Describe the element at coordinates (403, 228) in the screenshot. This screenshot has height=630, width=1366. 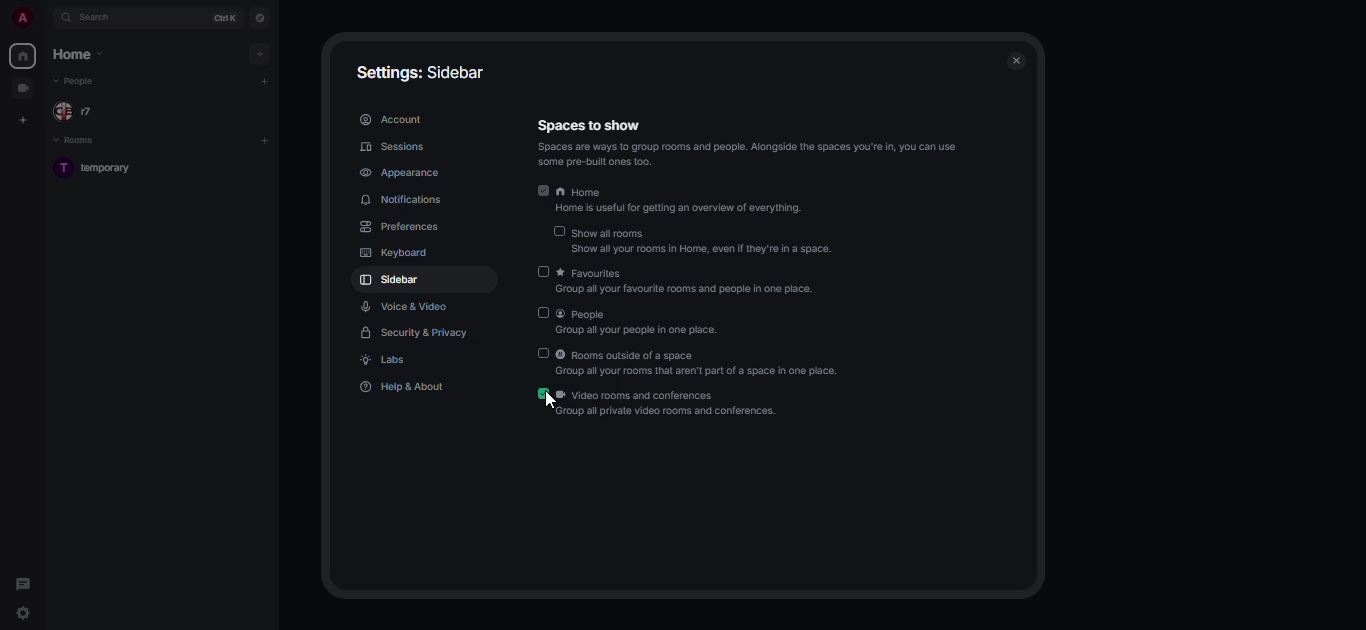
I see `preferences` at that location.